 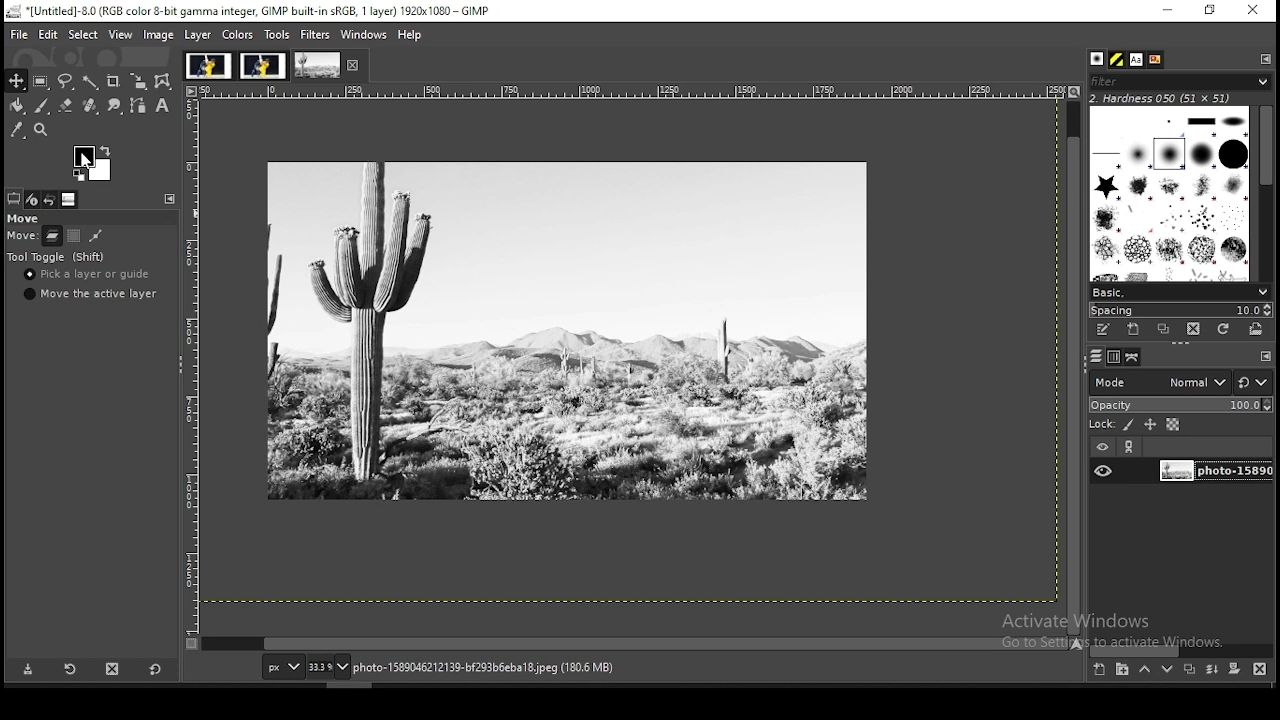 I want to click on move paths, so click(x=95, y=236).